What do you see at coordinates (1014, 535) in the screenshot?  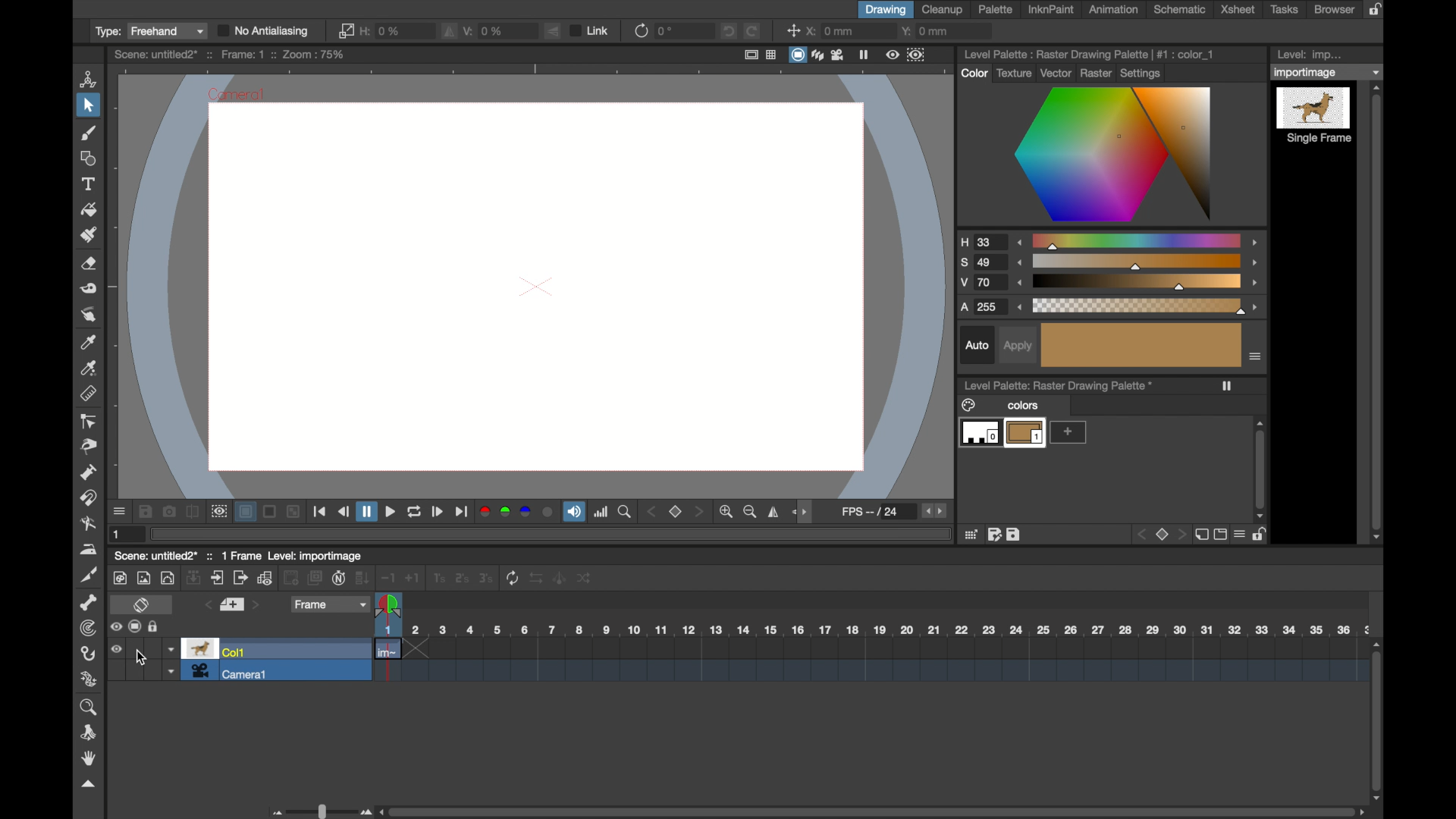 I see `save` at bounding box center [1014, 535].